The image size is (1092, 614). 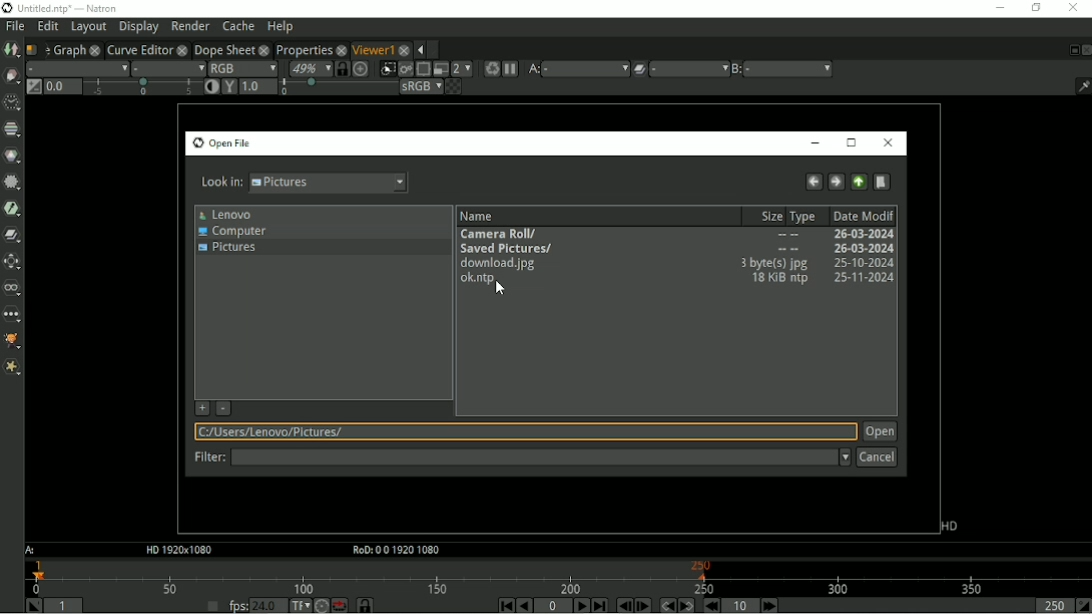 I want to click on Alpha channel, so click(x=167, y=68).